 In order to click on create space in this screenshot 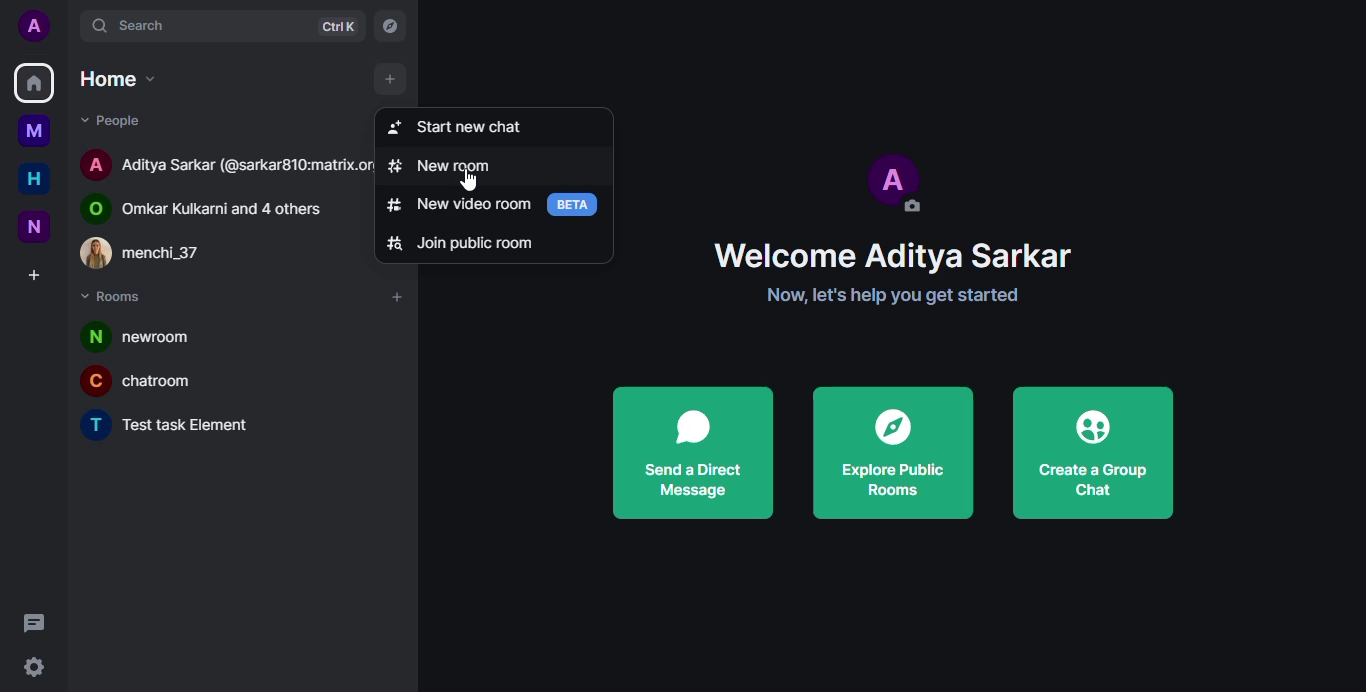, I will do `click(35, 277)`.